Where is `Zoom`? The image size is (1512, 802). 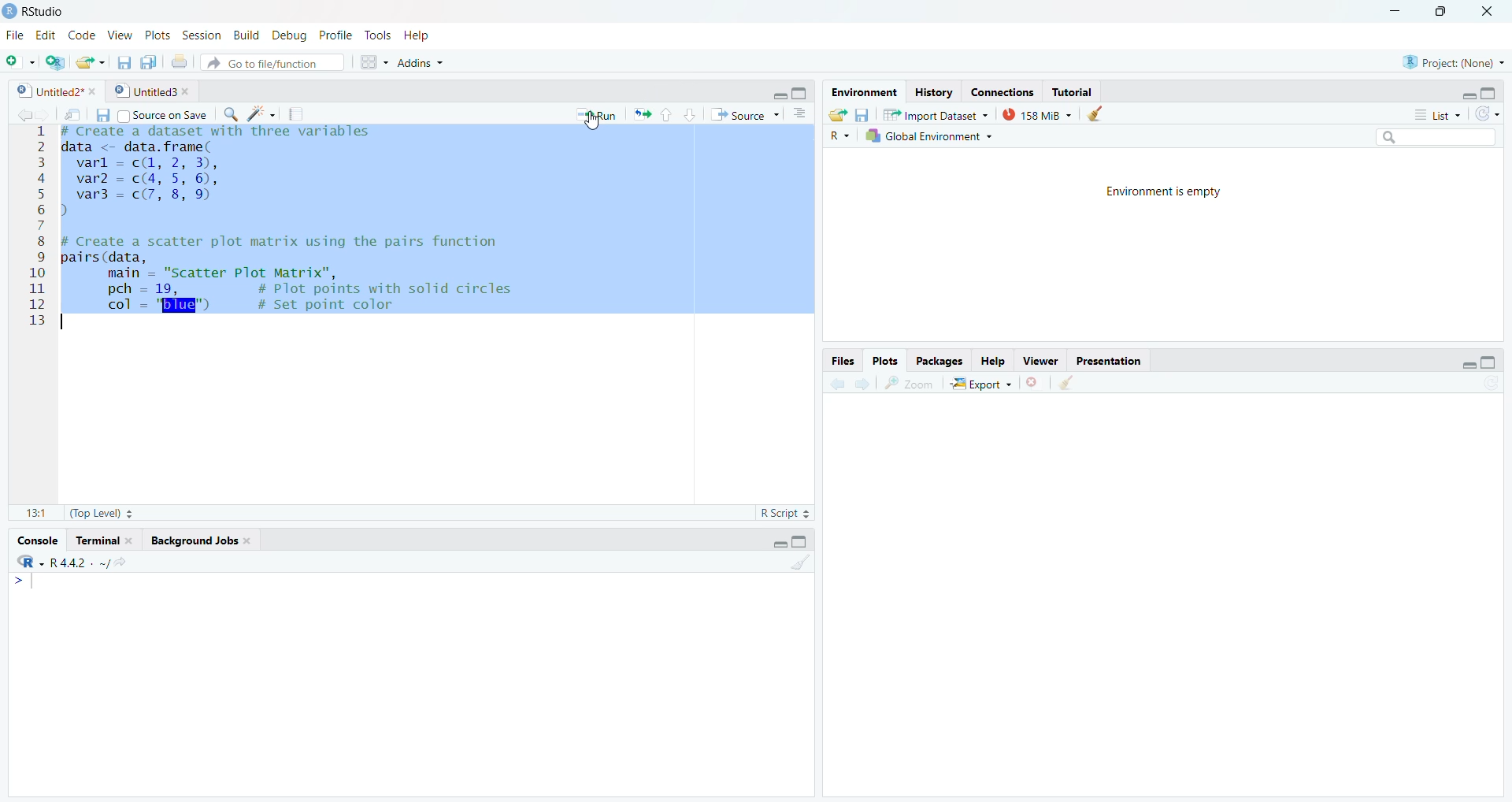
Zoom is located at coordinates (911, 384).